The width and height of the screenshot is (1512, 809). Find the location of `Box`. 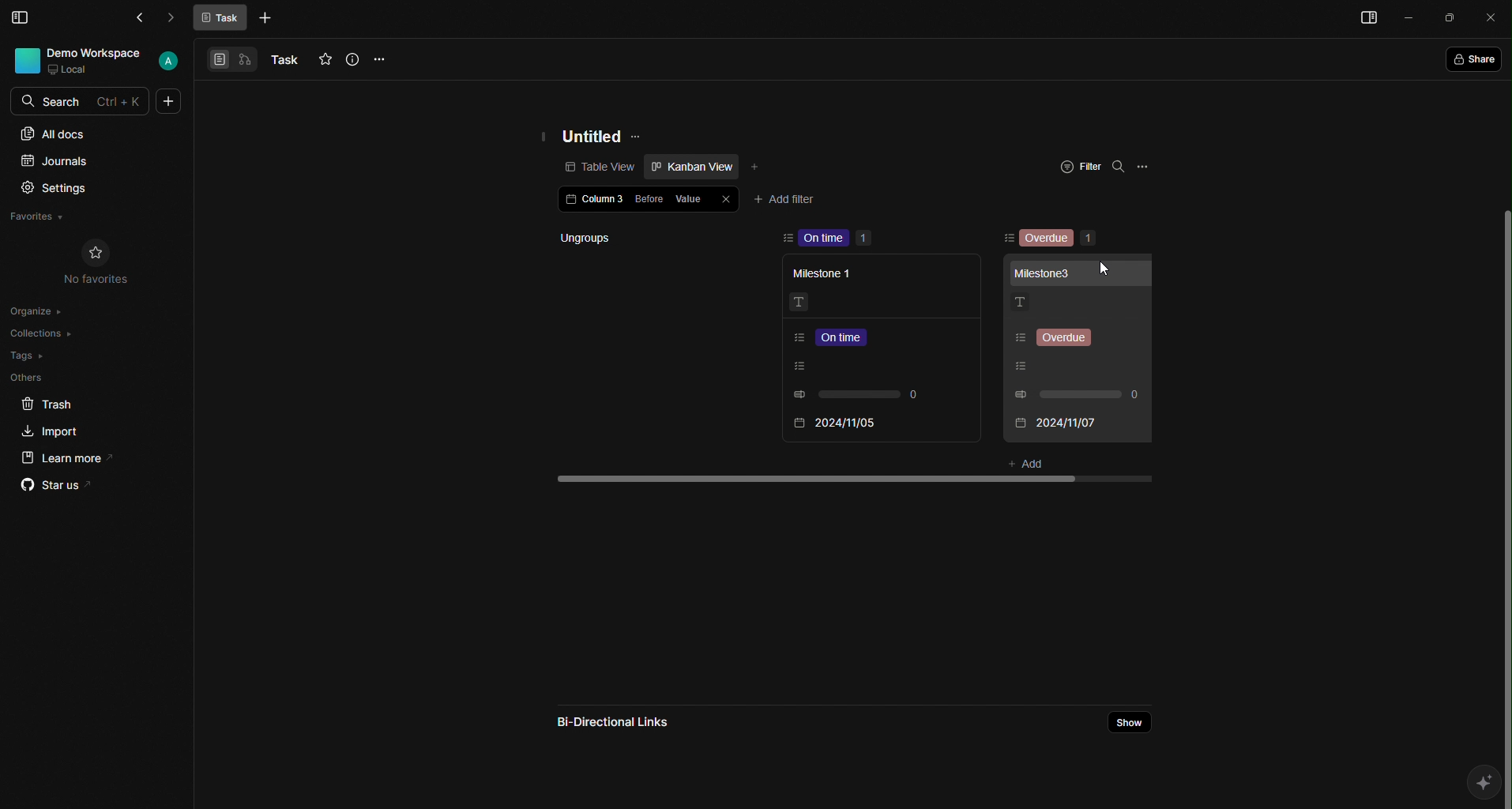

Box is located at coordinates (1450, 17).